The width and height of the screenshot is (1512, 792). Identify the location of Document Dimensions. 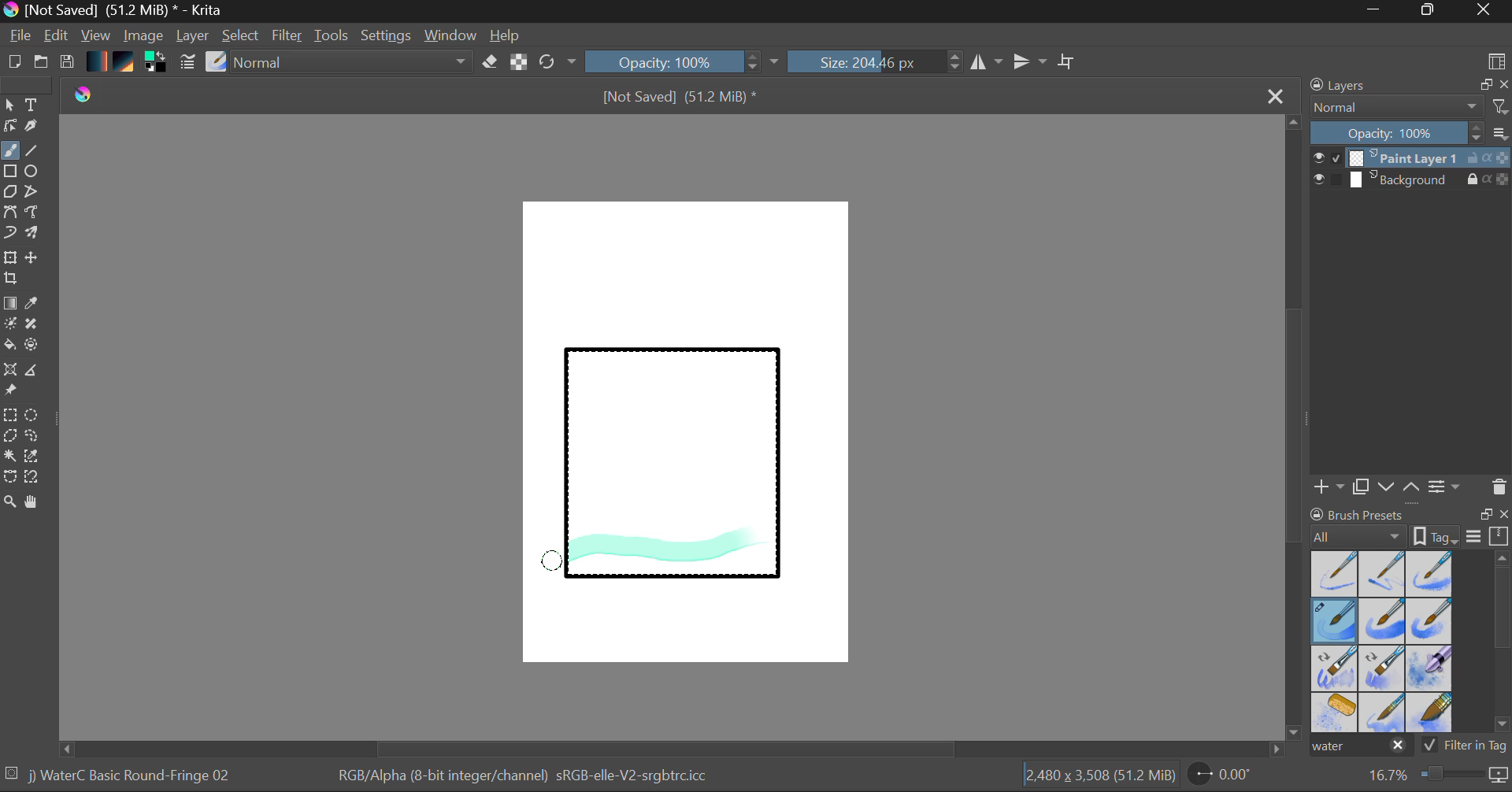
(1099, 778).